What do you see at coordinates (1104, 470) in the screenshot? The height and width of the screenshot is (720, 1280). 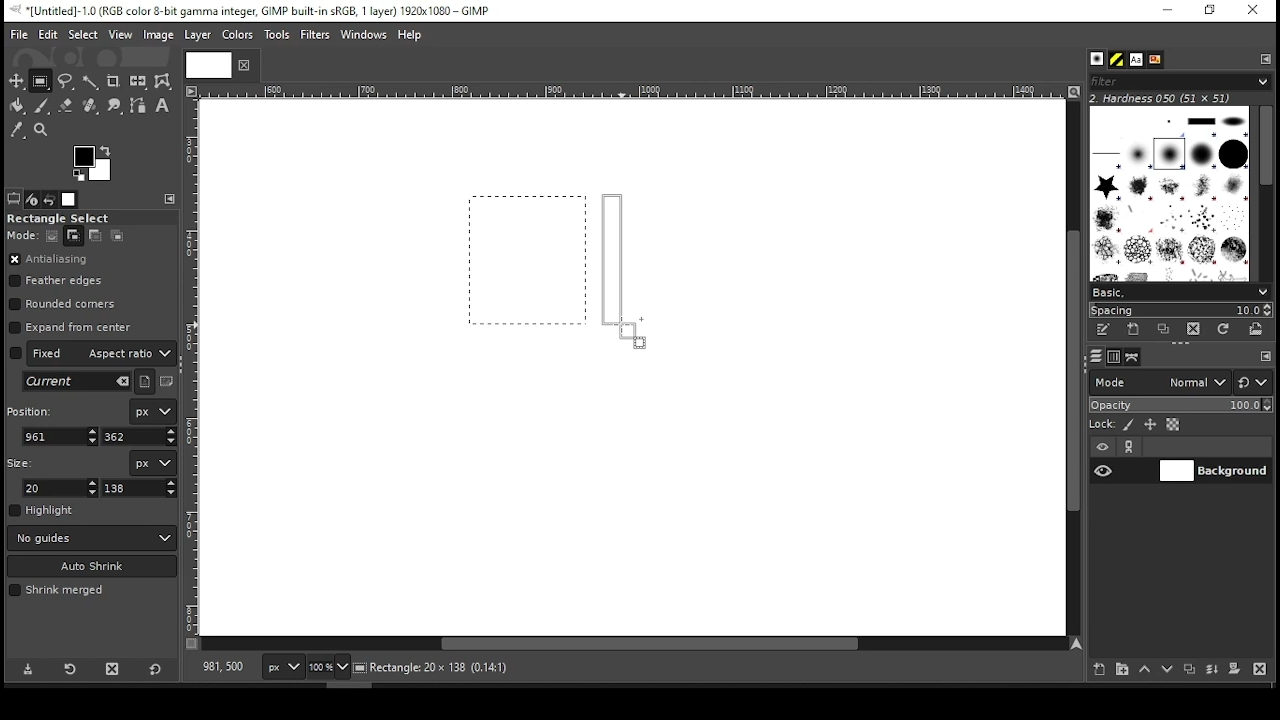 I see `layer visibility on/off` at bounding box center [1104, 470].